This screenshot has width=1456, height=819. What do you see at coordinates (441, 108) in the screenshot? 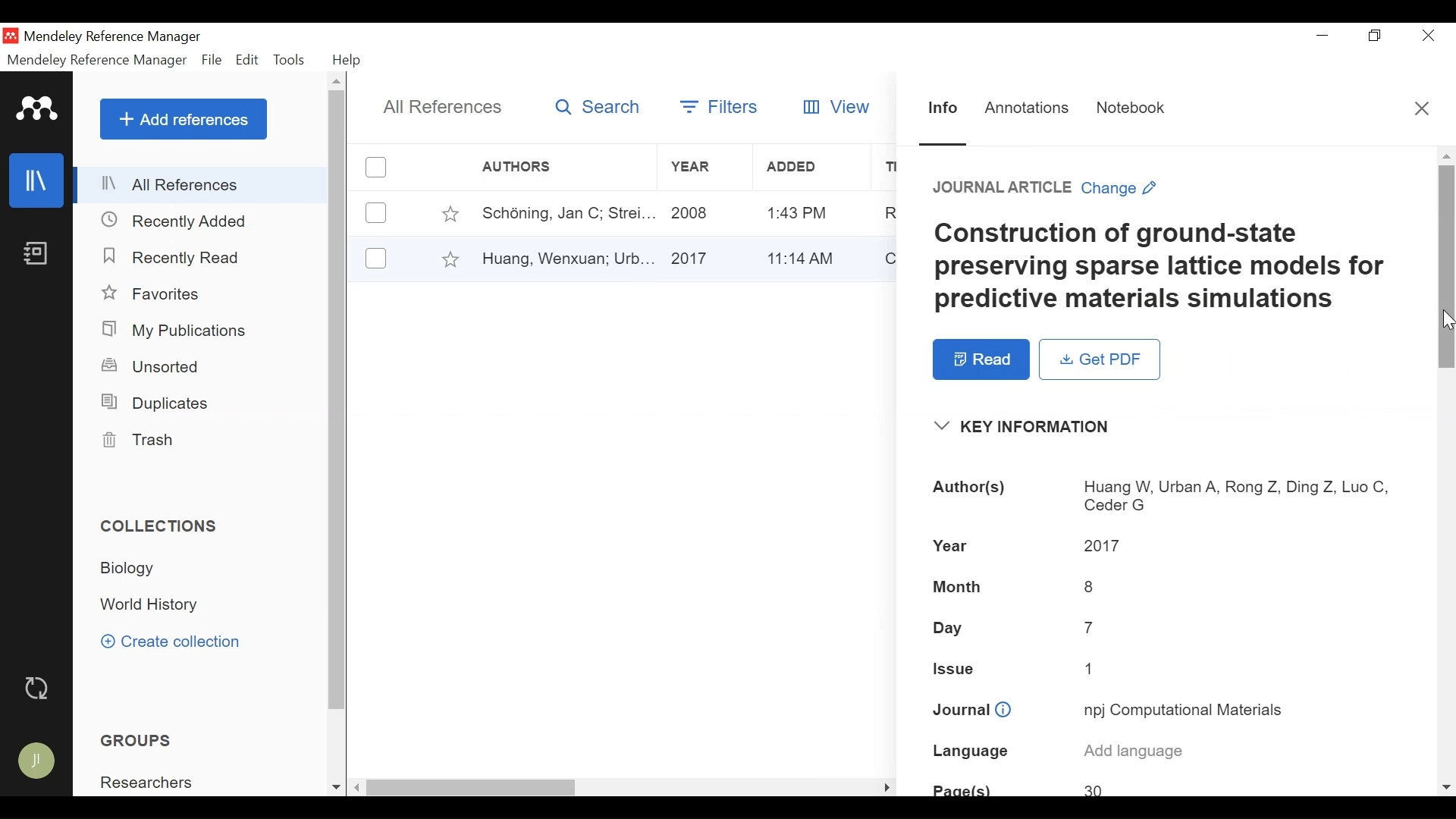
I see `All References` at bounding box center [441, 108].